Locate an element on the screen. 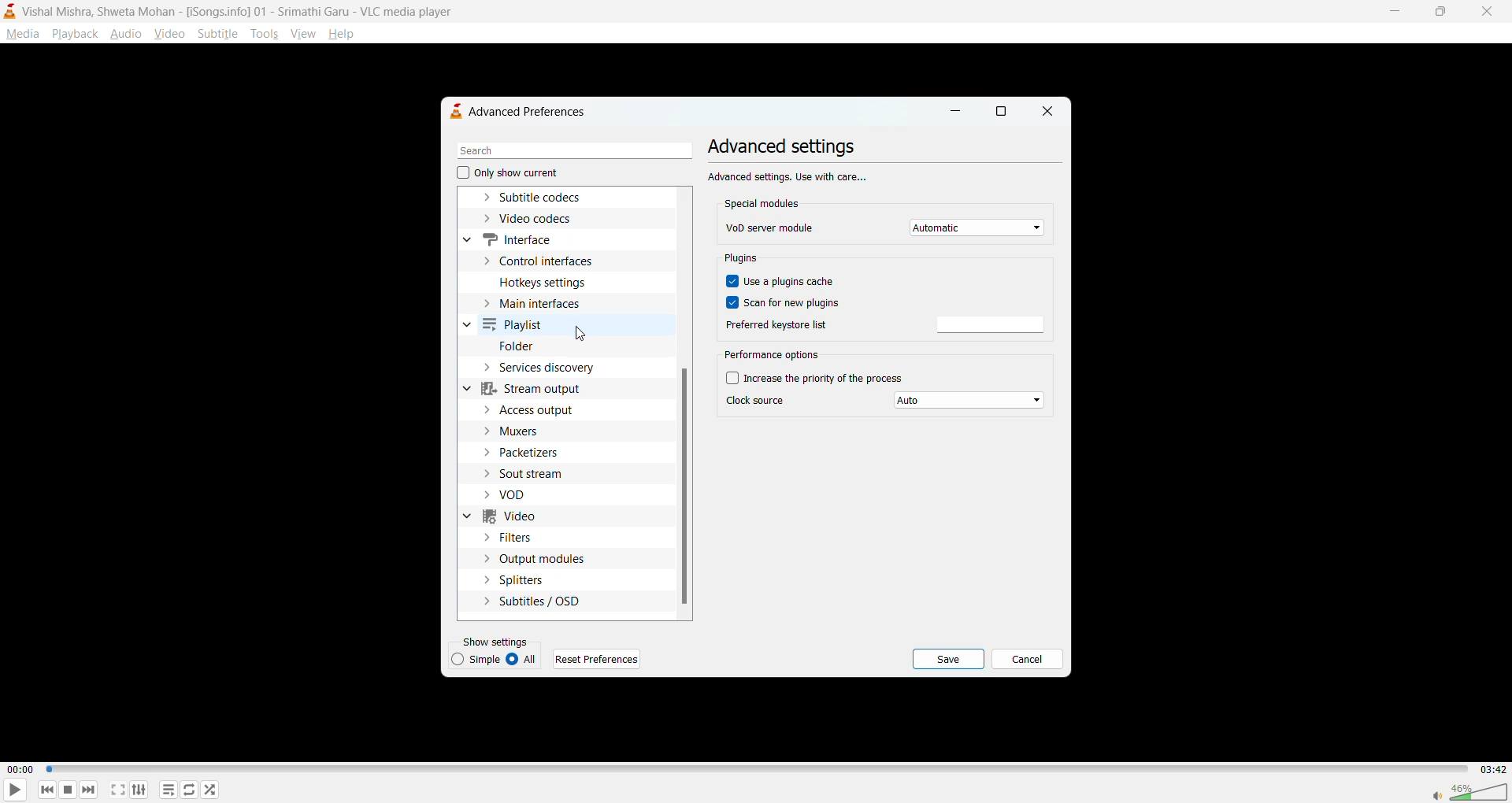 Image resolution: width=1512 pixels, height=803 pixels. vod is located at coordinates (521, 495).